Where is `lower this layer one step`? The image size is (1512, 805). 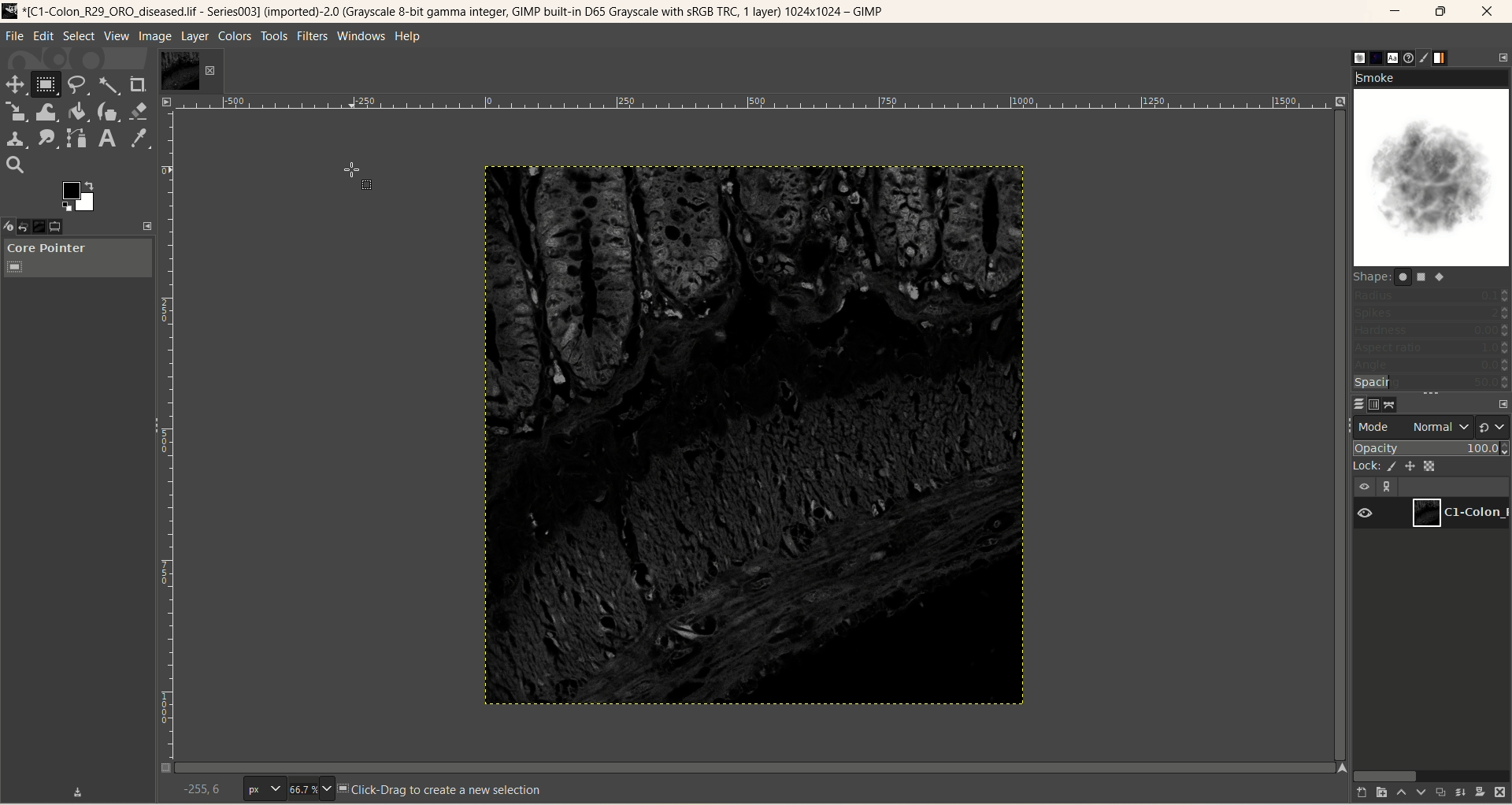
lower this layer one step is located at coordinates (1421, 794).